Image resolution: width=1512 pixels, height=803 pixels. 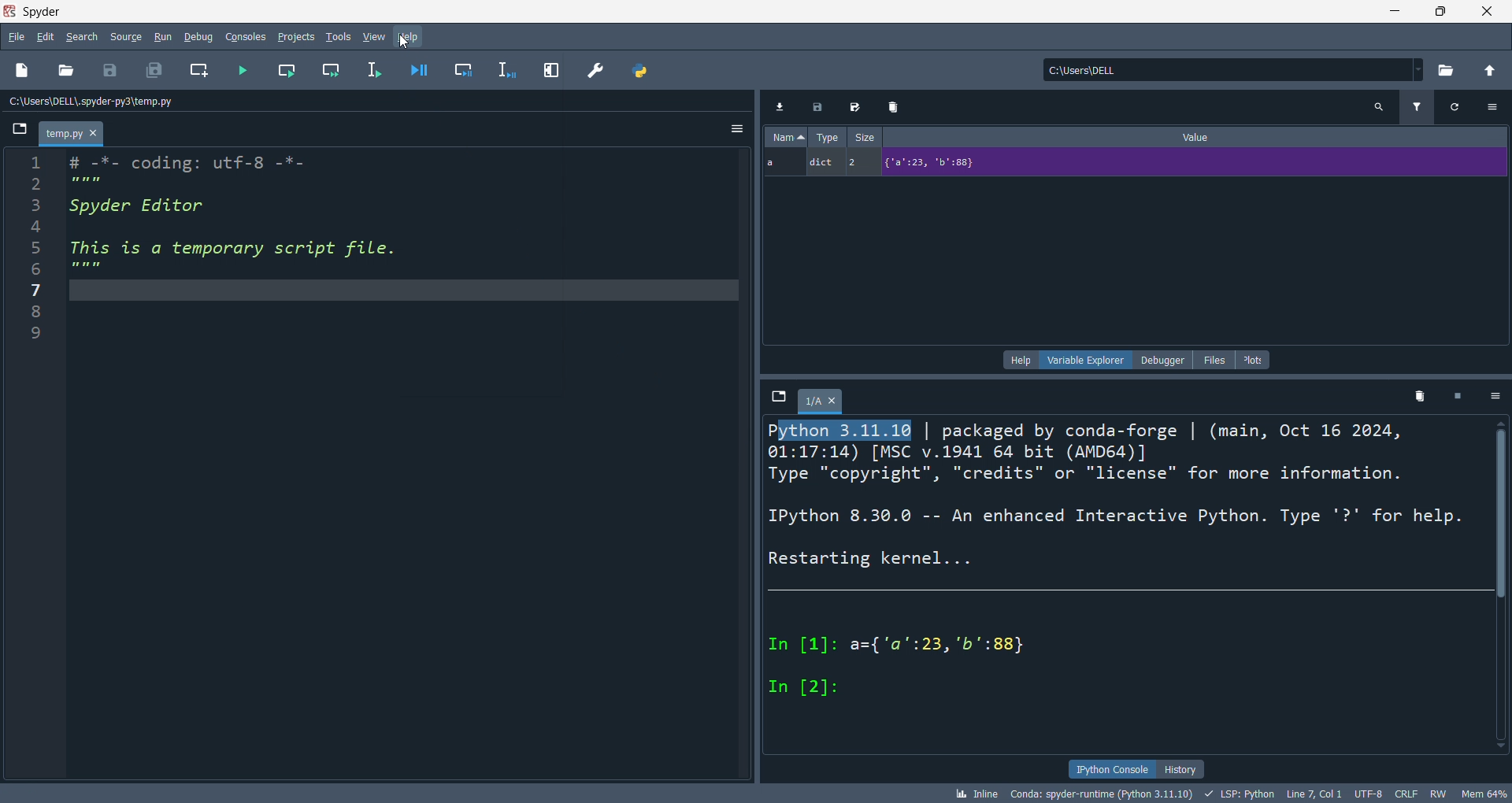 I want to click on Download, so click(x=780, y=107).